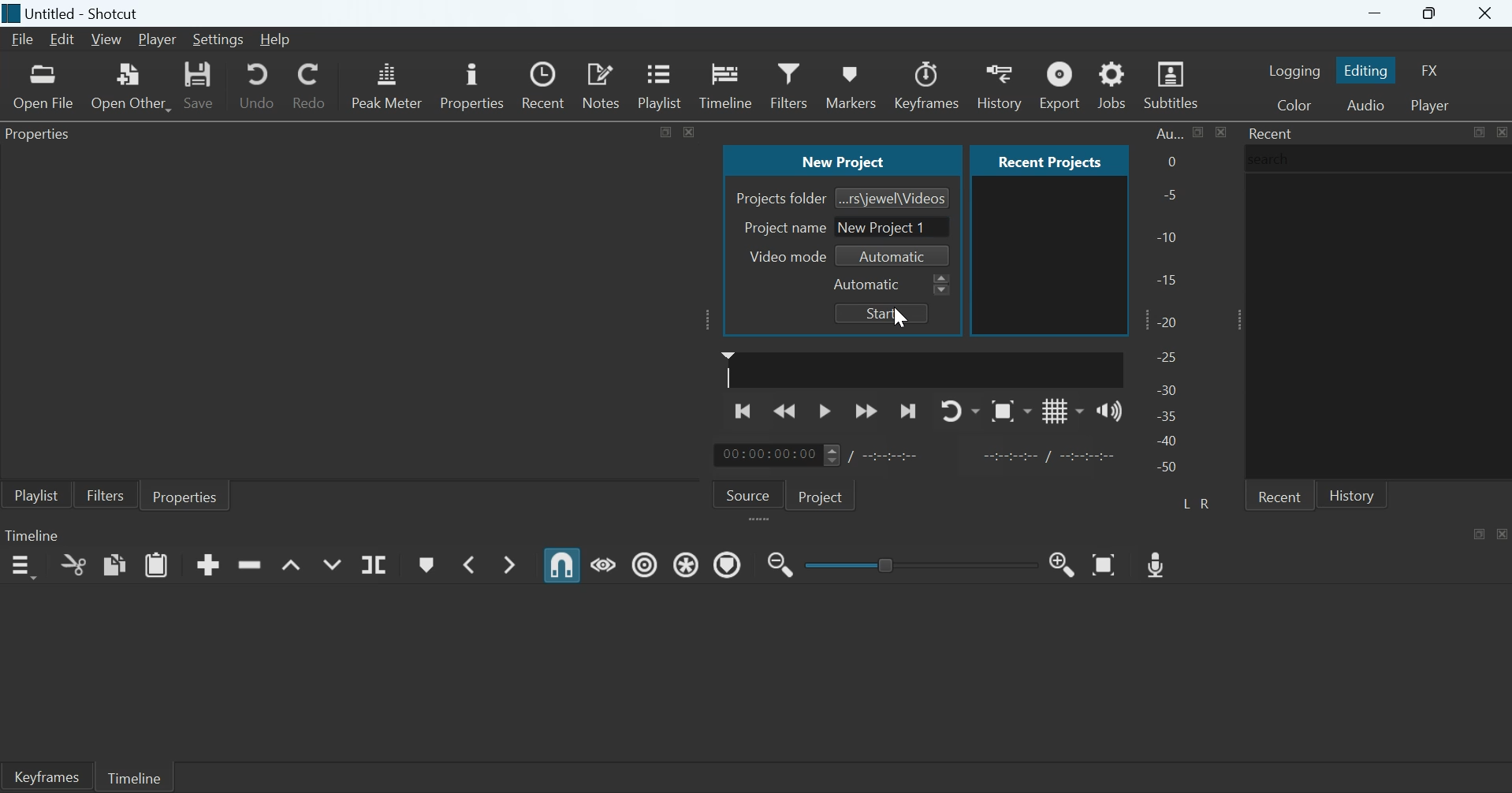 Image resolution: width=1512 pixels, height=793 pixels. Describe the element at coordinates (667, 130) in the screenshot. I see `Maximize` at that location.